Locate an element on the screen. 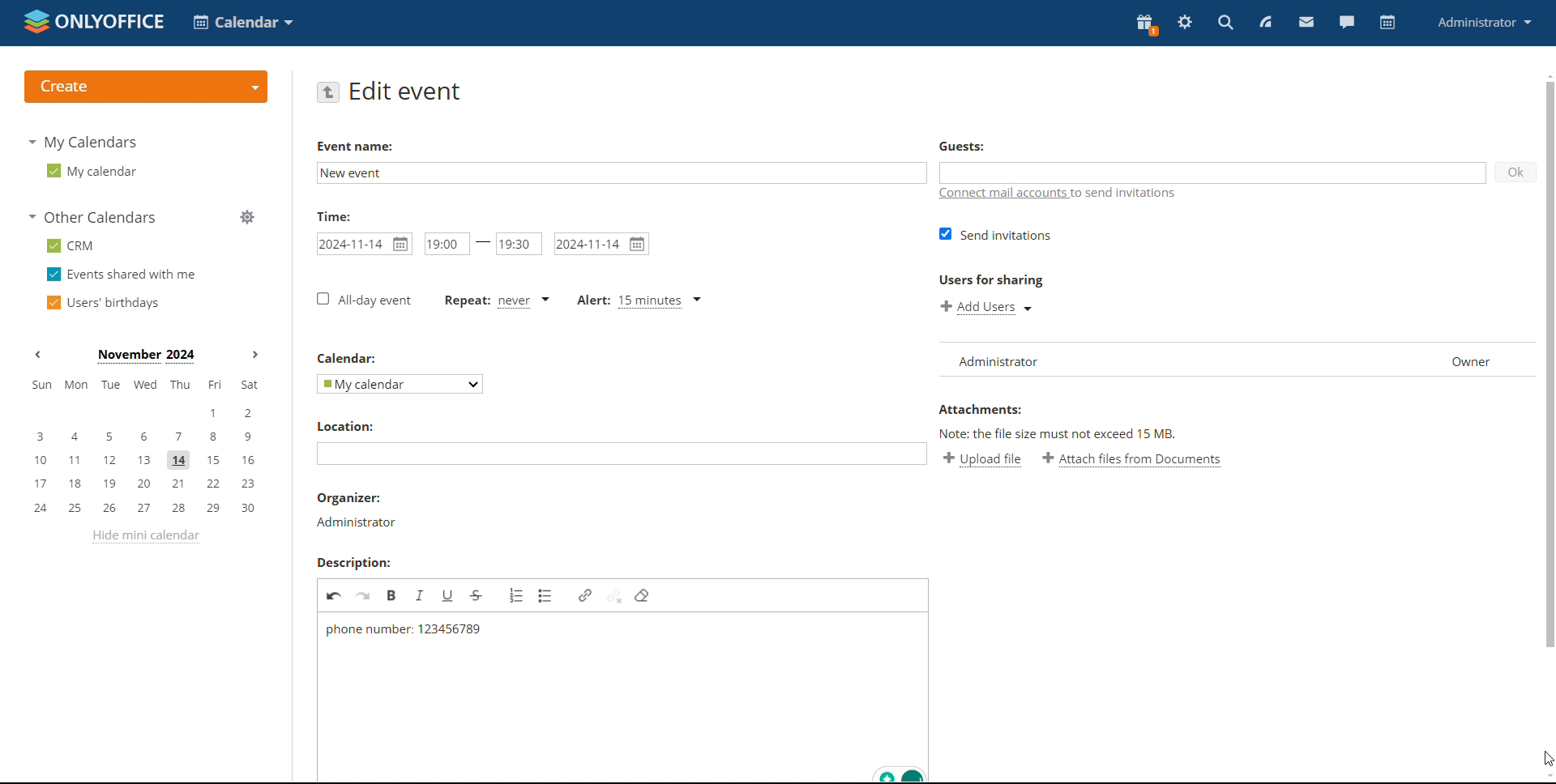 This screenshot has width=1556, height=784. strikethrough is located at coordinates (477, 595).